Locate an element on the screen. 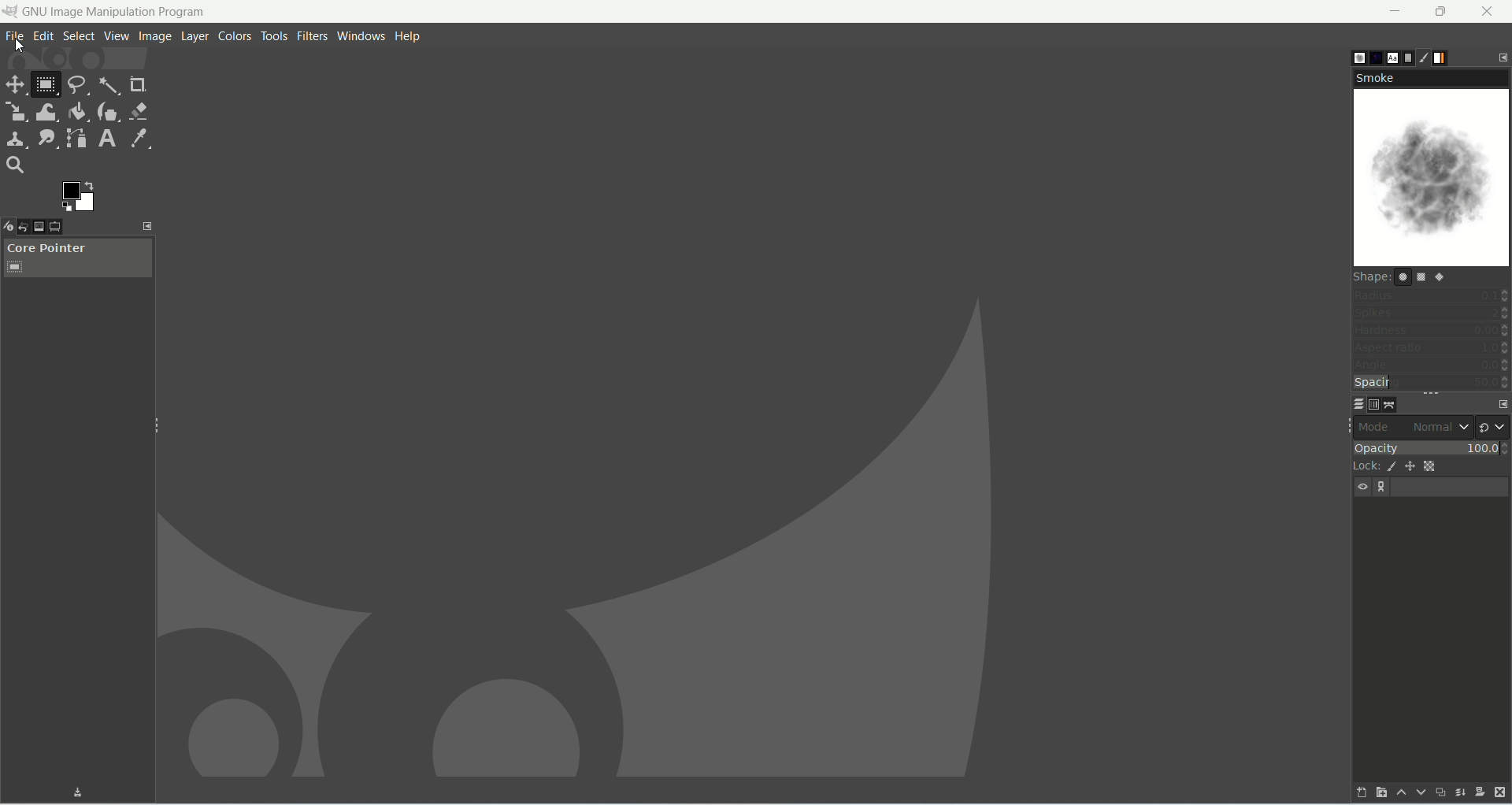 Image resolution: width=1512 pixels, height=805 pixels. spacing is located at coordinates (1432, 382).